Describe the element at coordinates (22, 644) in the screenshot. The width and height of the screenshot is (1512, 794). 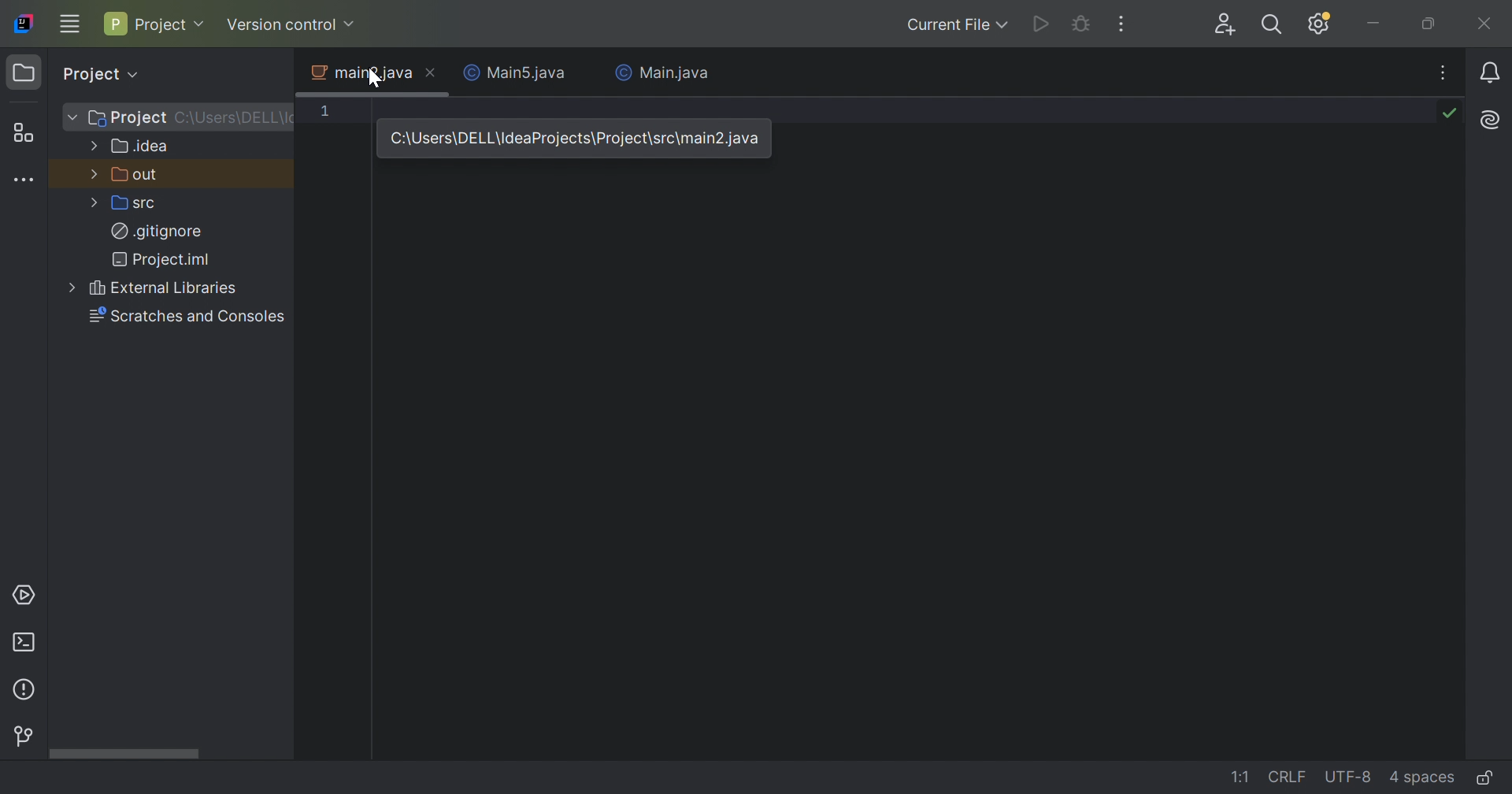
I see `Terminal` at that location.